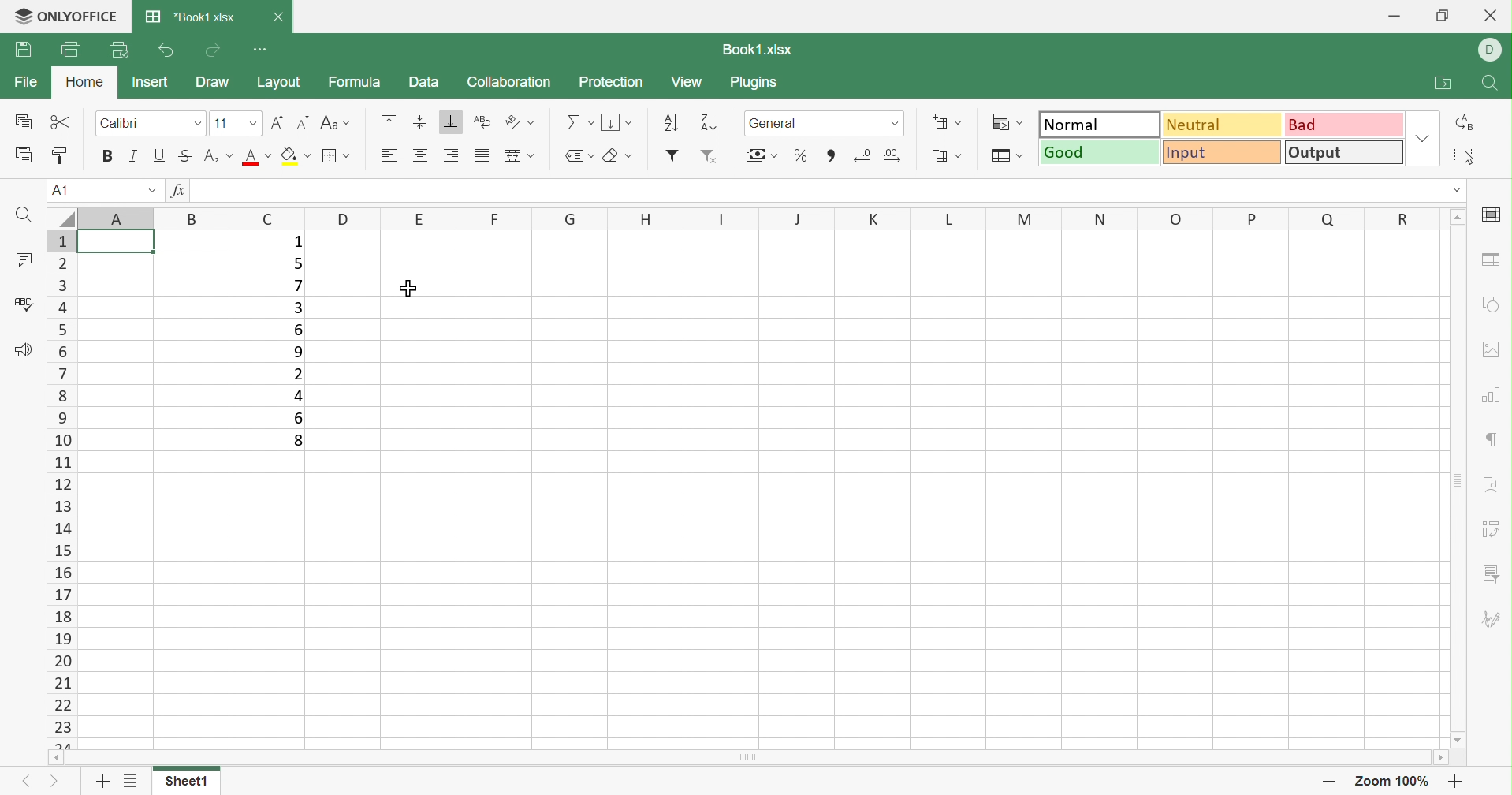  Describe the element at coordinates (1330, 782) in the screenshot. I see `Zoom out` at that location.